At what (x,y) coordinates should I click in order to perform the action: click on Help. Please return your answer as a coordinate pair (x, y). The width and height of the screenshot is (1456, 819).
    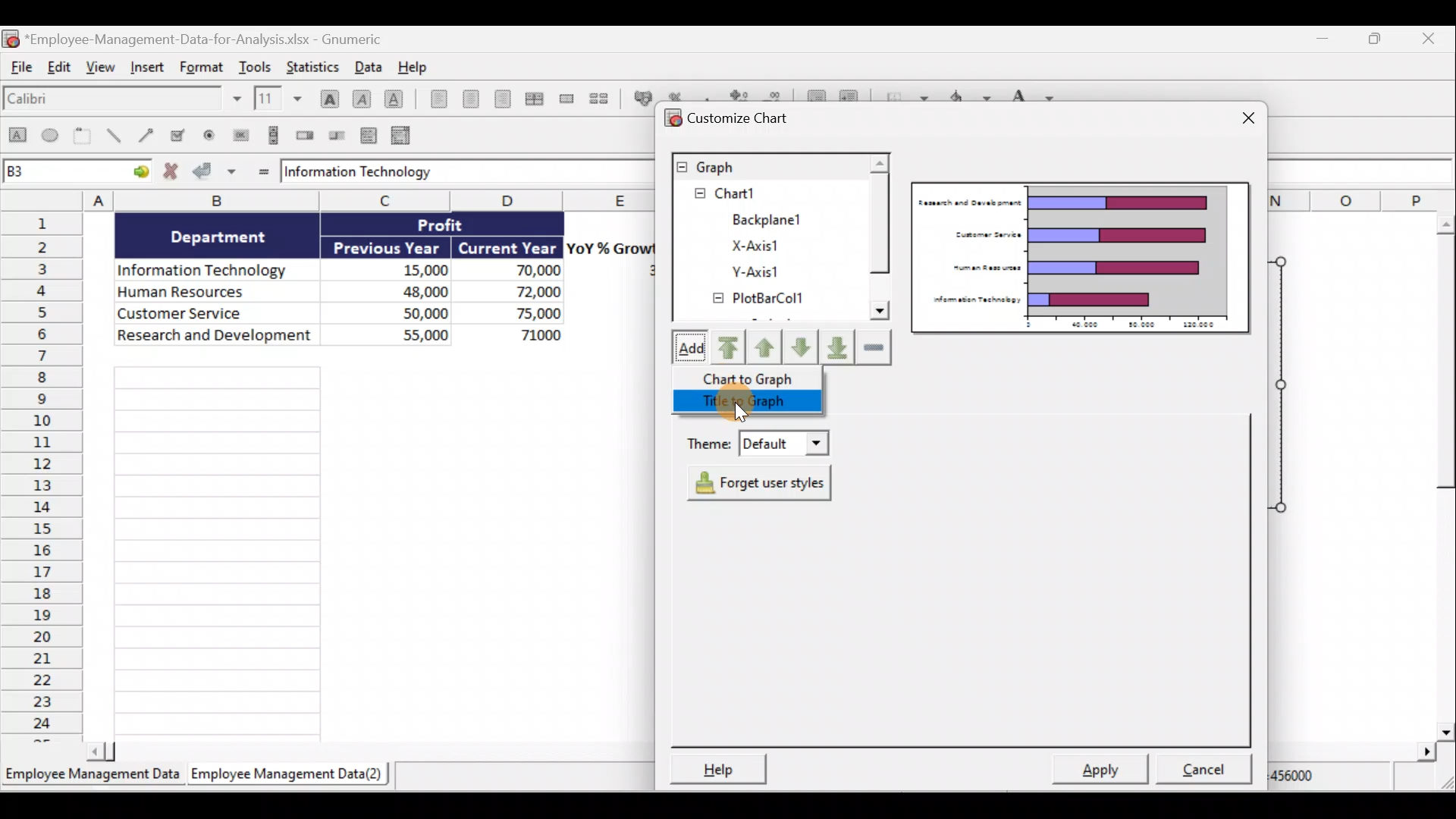
    Looking at the image, I should click on (714, 768).